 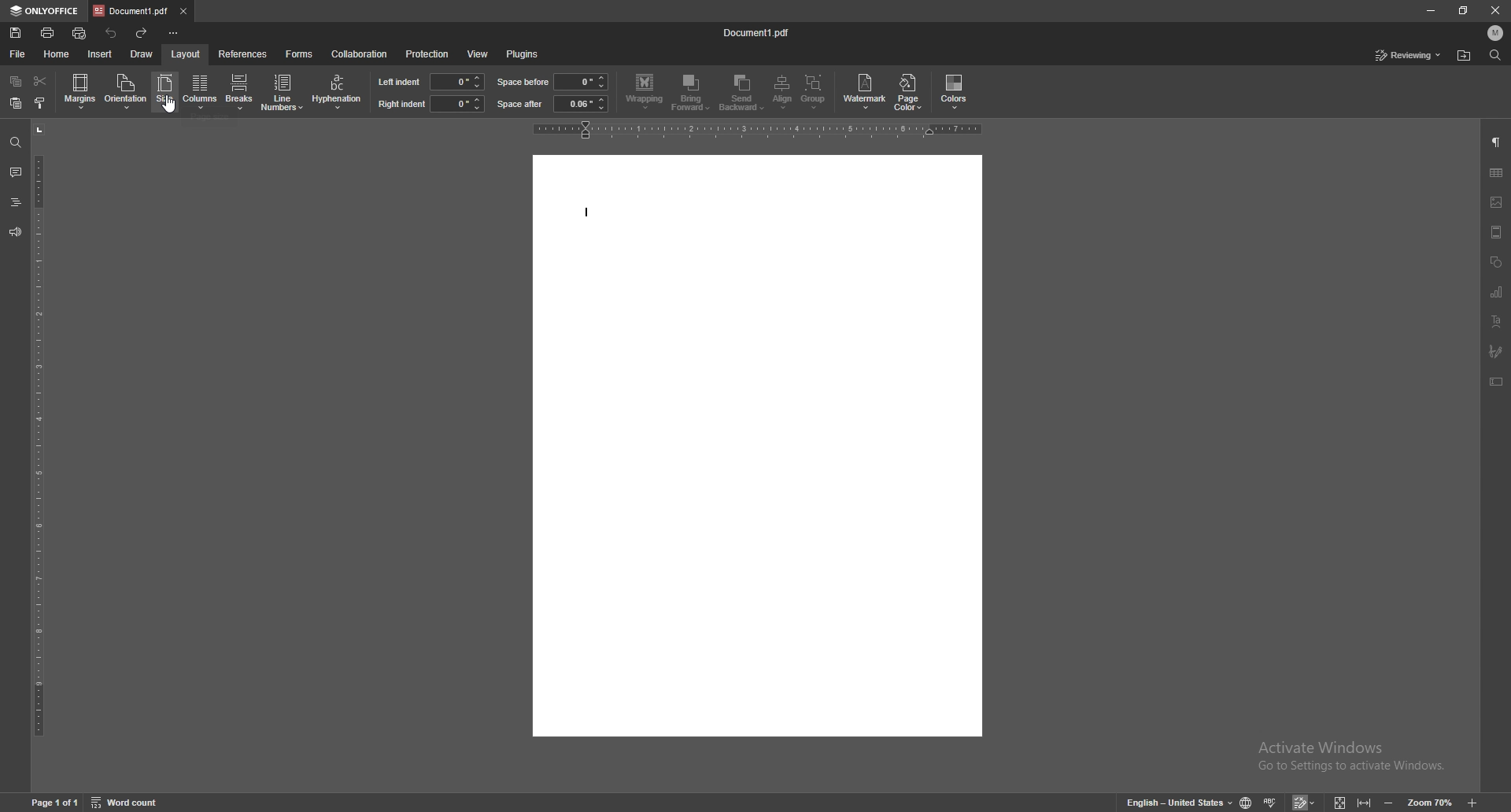 I want to click on file, so click(x=17, y=54).